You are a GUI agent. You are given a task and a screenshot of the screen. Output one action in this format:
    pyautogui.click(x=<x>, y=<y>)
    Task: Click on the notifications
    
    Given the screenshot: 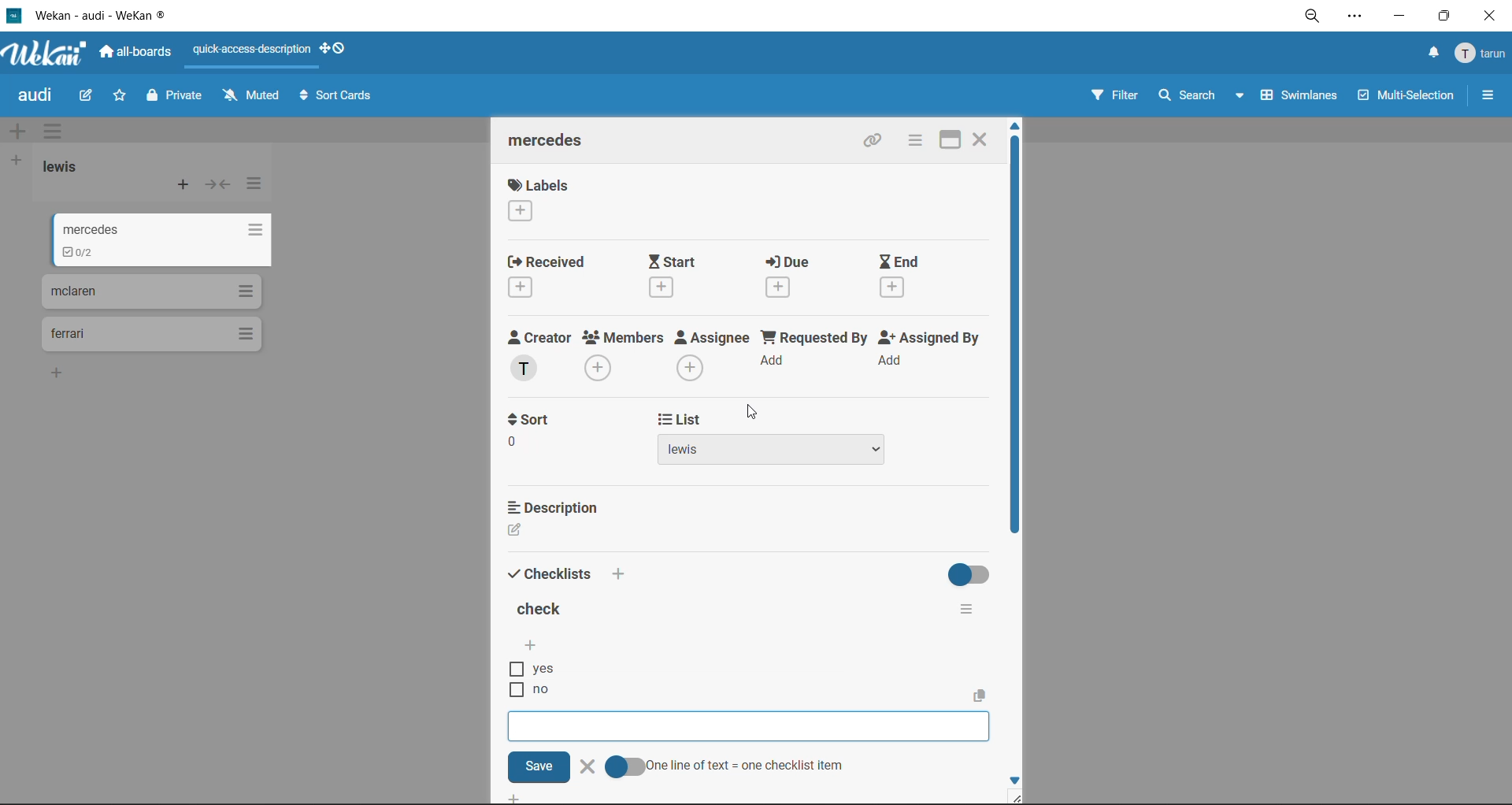 What is the action you would take?
    pyautogui.click(x=1429, y=53)
    